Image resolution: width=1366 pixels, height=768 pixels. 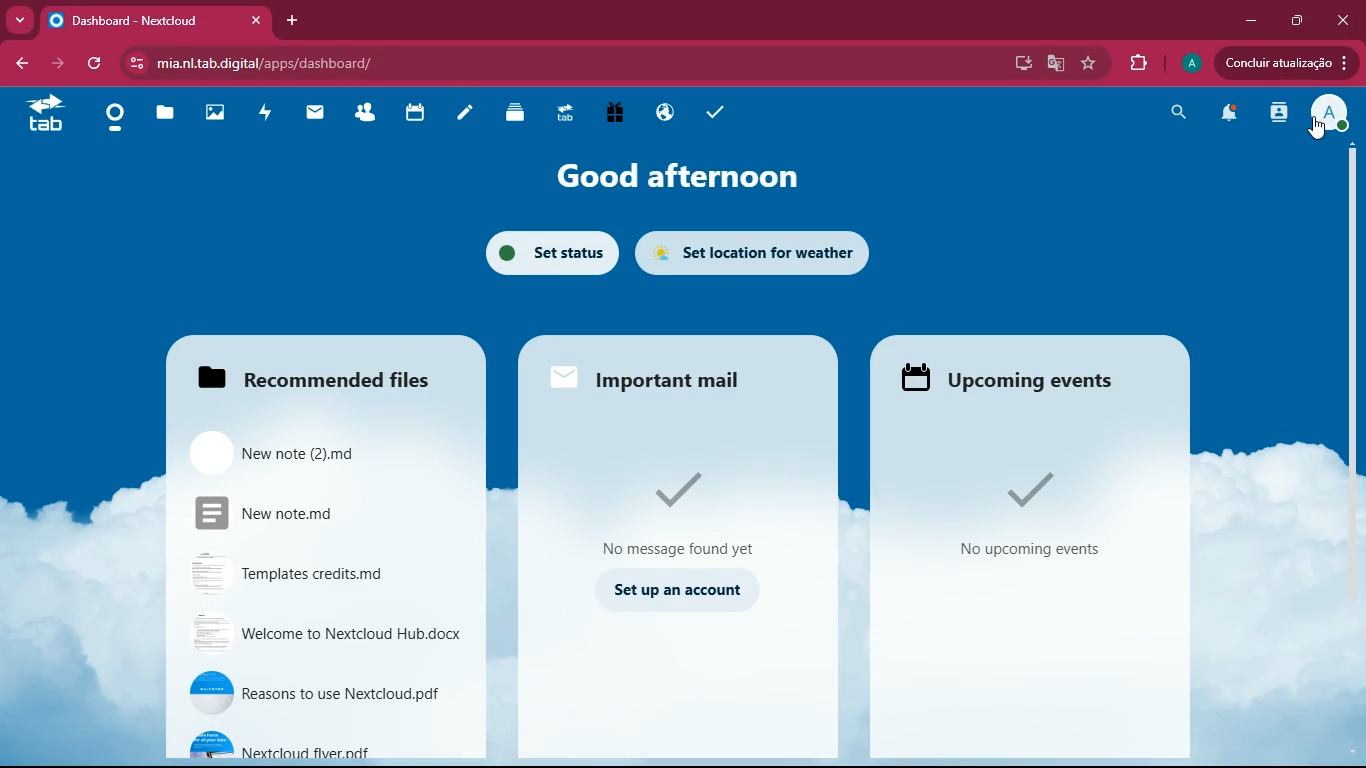 What do you see at coordinates (617, 114) in the screenshot?
I see `gift` at bounding box center [617, 114].